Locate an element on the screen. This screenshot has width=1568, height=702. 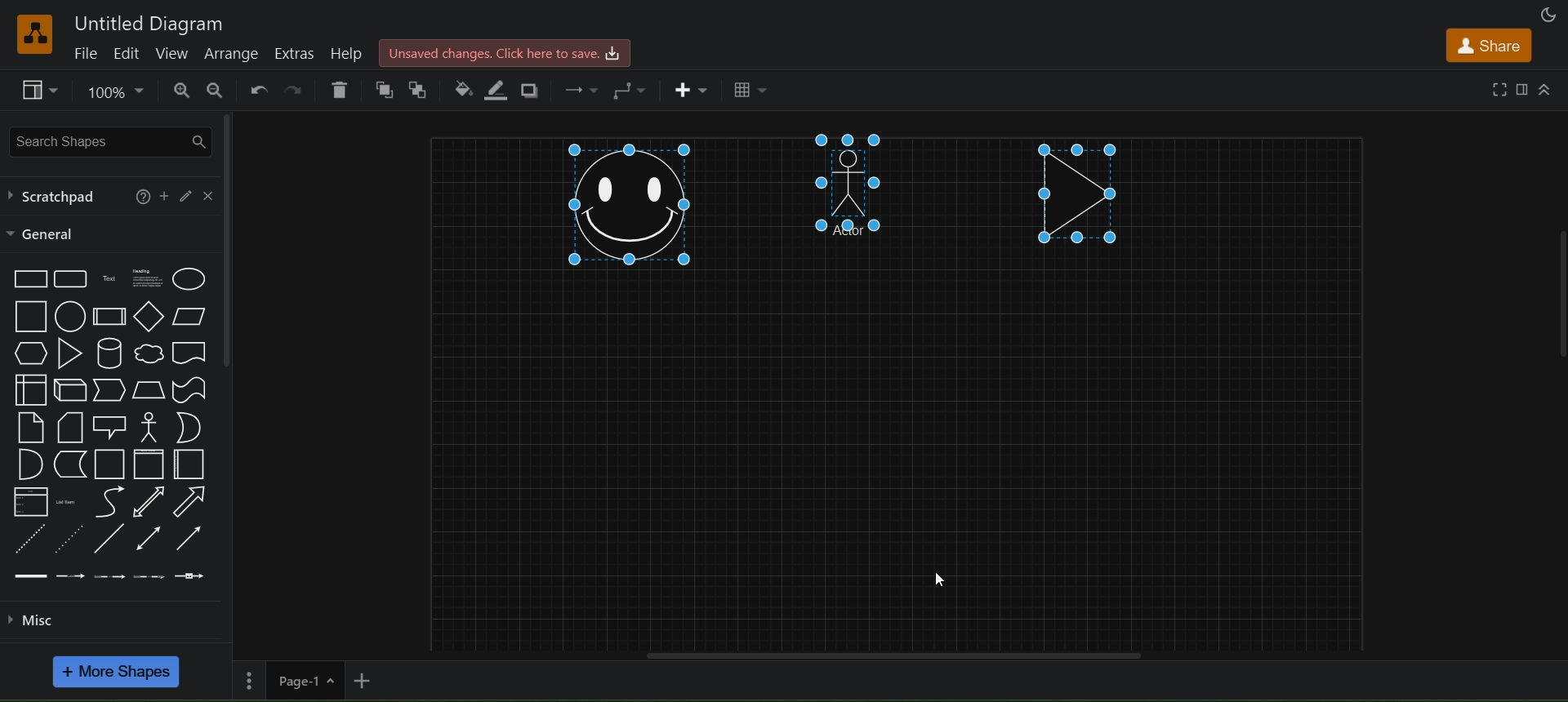
view is located at coordinates (38, 88).